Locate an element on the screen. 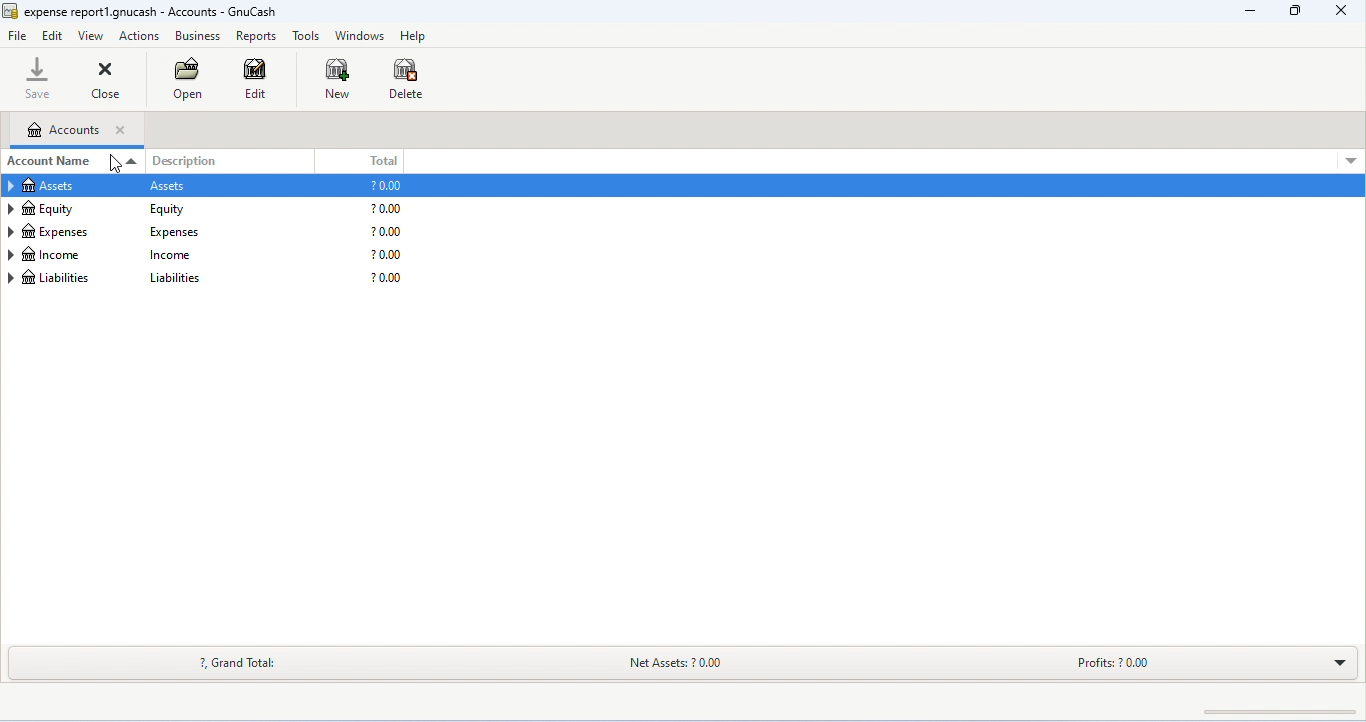 The height and width of the screenshot is (722, 1366). liabilities is located at coordinates (56, 278).